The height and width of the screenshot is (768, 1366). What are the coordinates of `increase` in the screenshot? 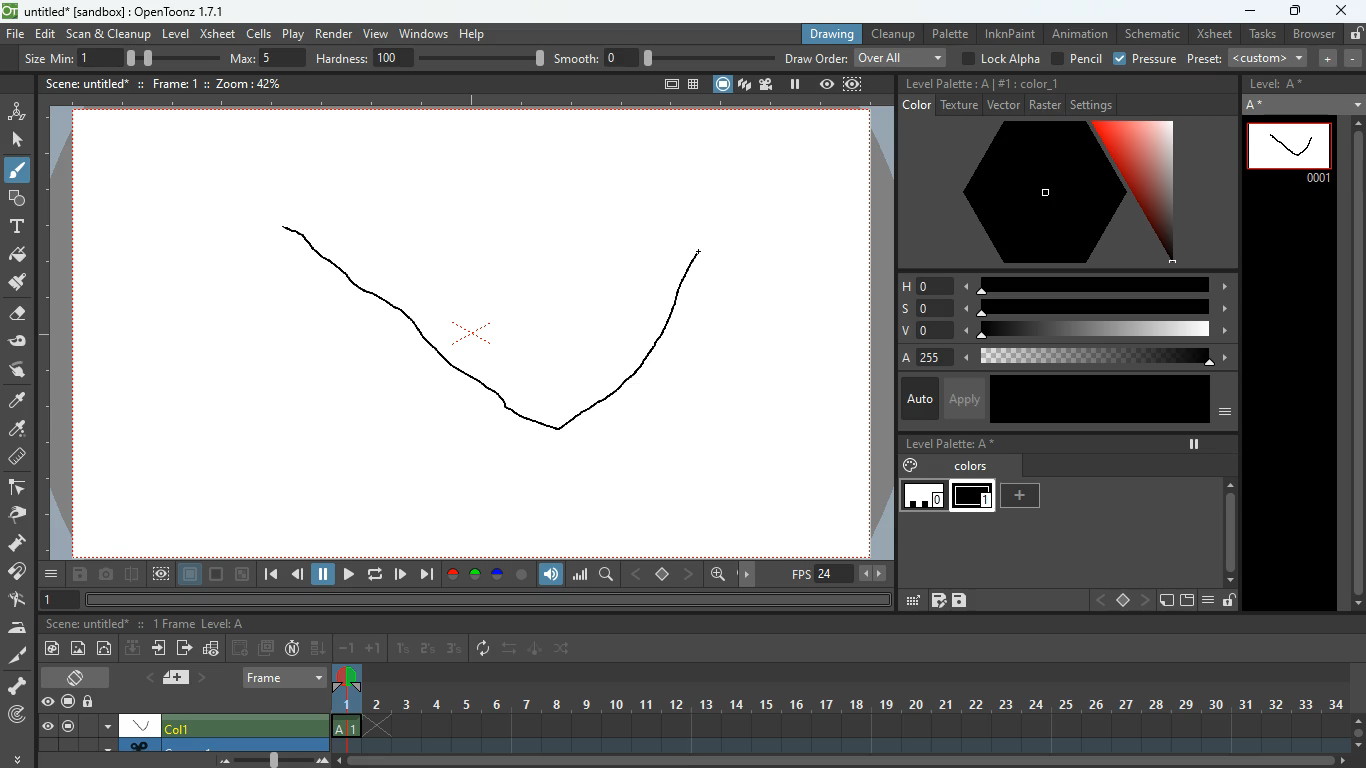 It's located at (1324, 58).